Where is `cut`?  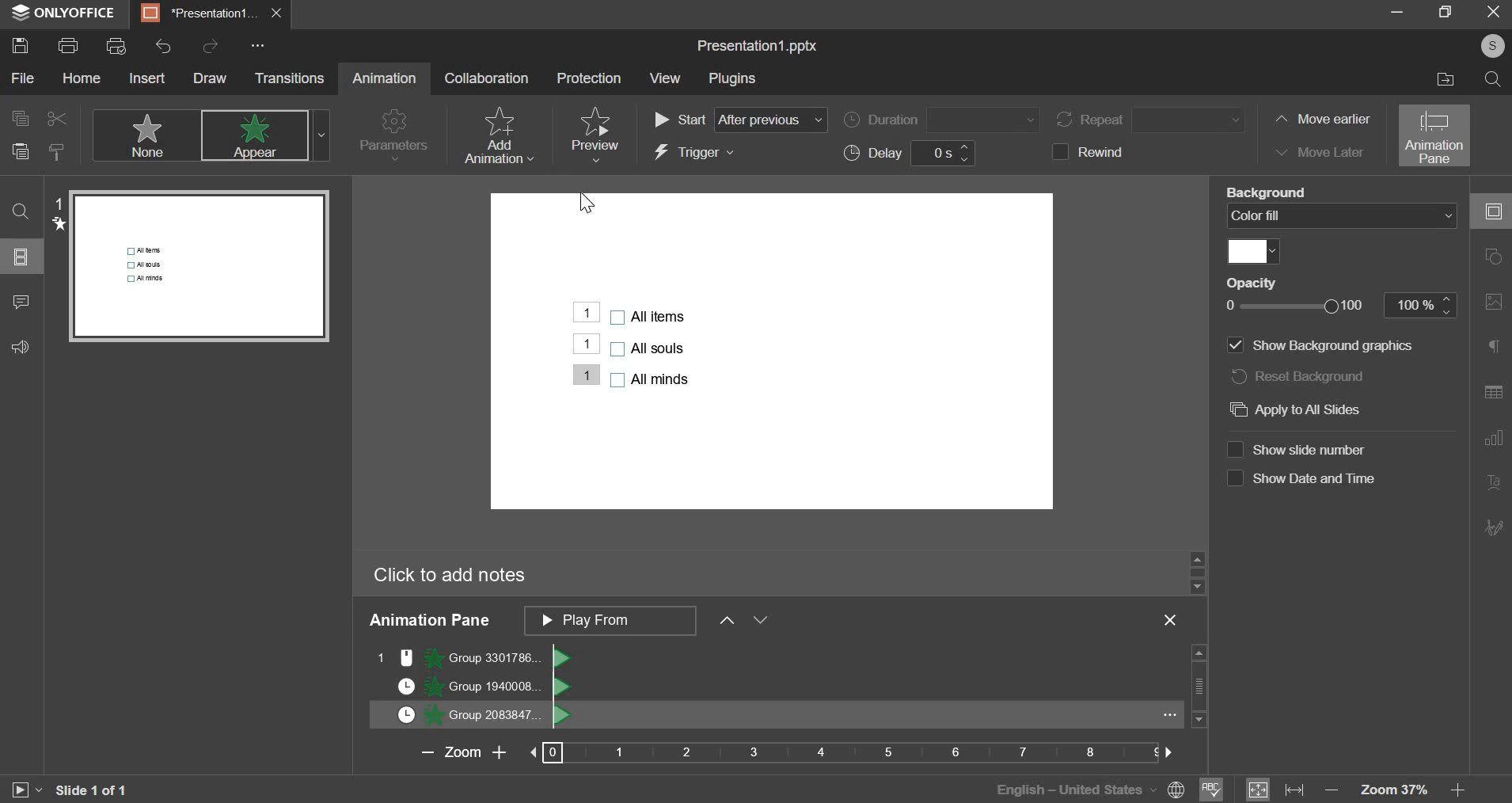
cut is located at coordinates (54, 118).